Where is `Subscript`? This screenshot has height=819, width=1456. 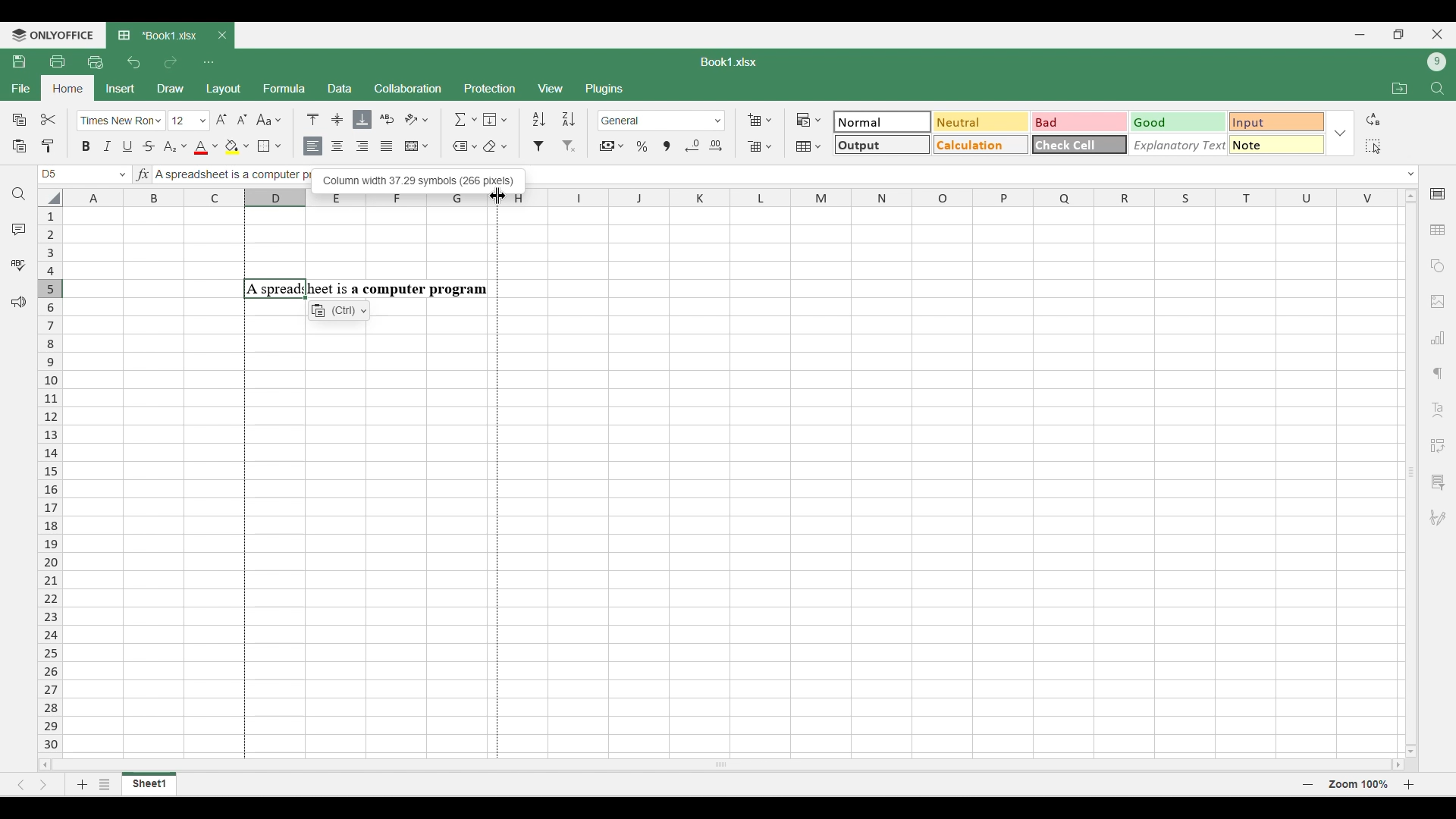 Subscript is located at coordinates (174, 147).